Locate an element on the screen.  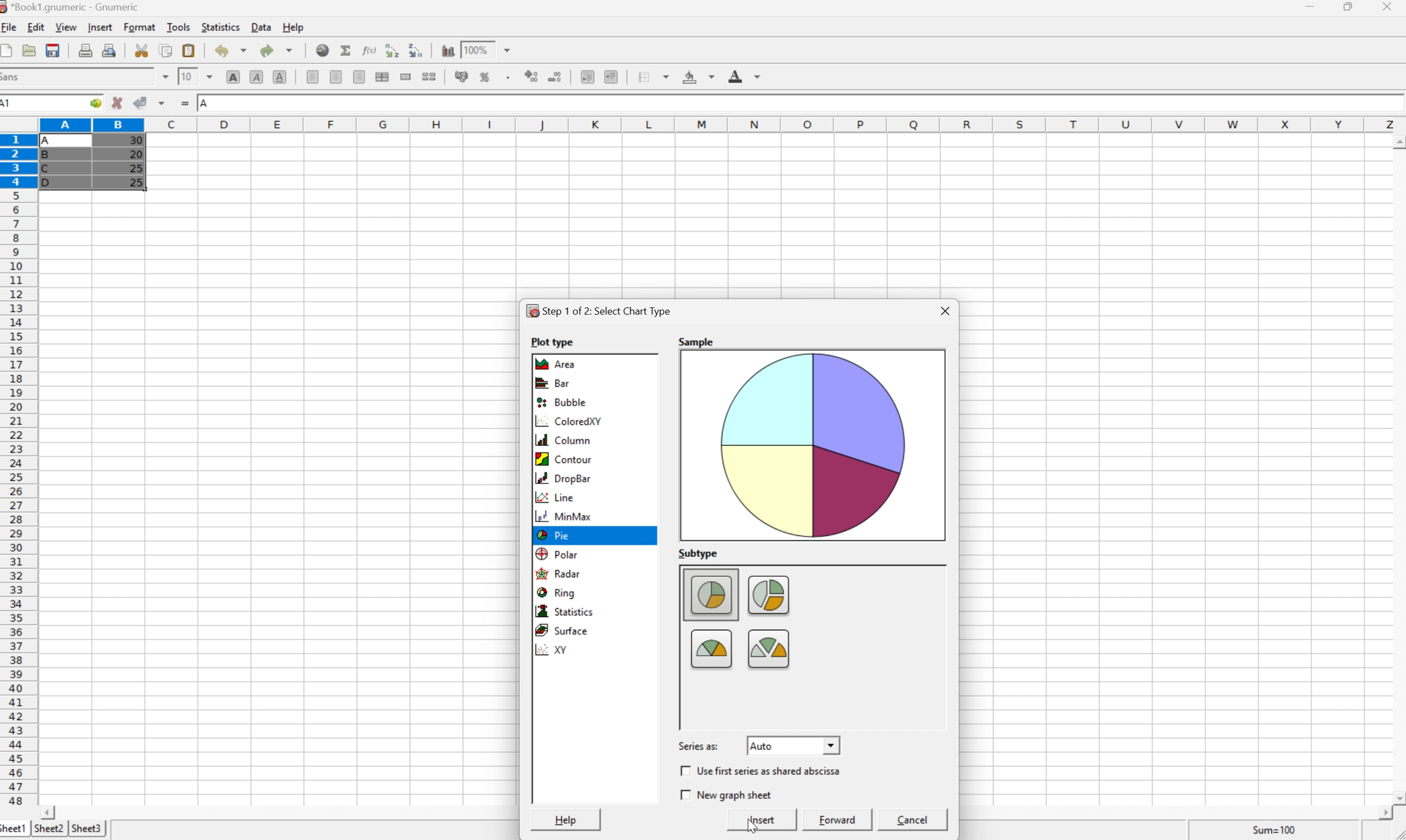
Auto is located at coordinates (762, 746).